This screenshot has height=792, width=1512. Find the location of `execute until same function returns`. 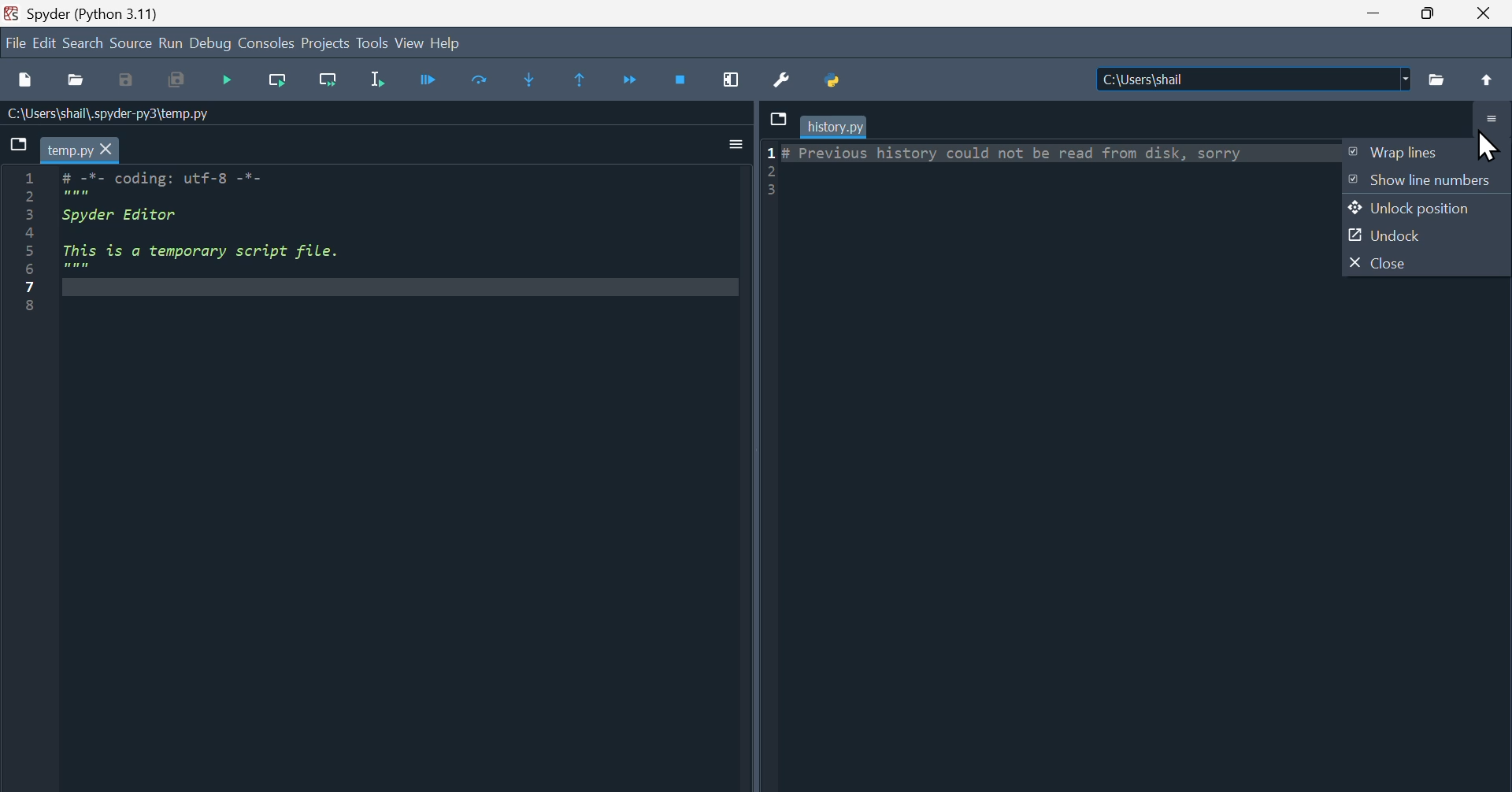

execute until same function returns is located at coordinates (587, 80).